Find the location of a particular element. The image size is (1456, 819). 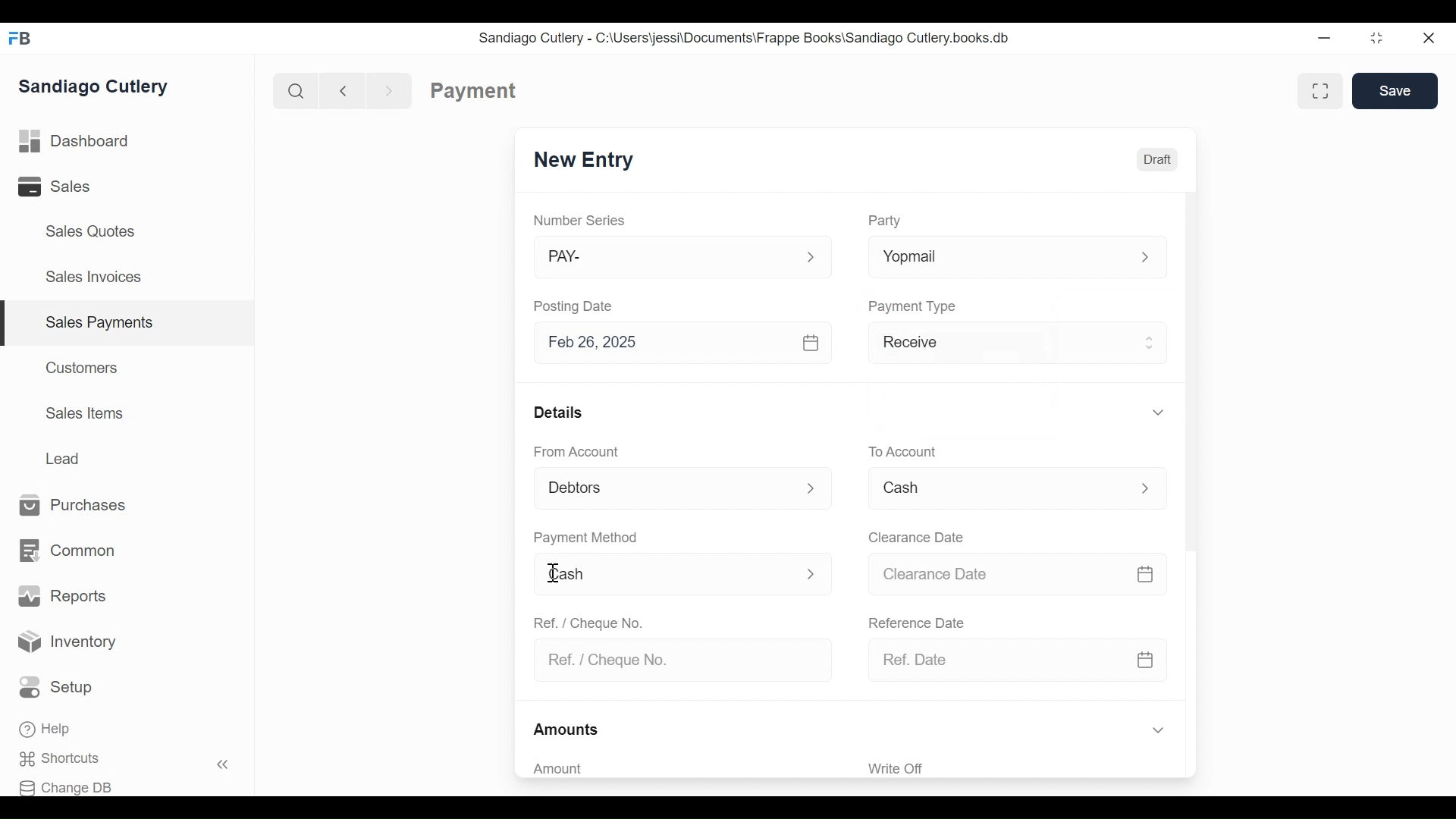

Lead is located at coordinates (65, 457).